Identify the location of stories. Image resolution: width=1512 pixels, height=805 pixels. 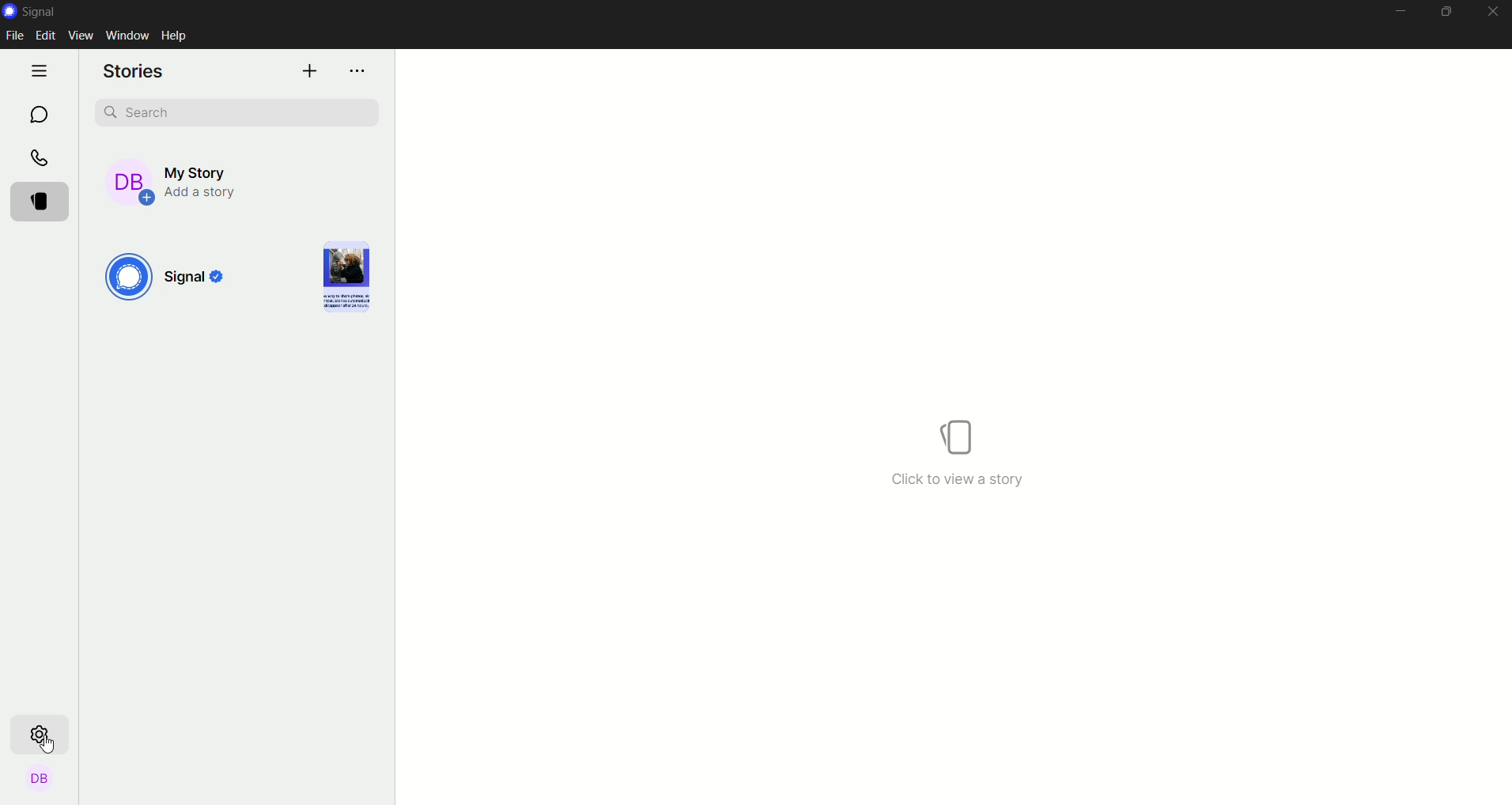
(136, 72).